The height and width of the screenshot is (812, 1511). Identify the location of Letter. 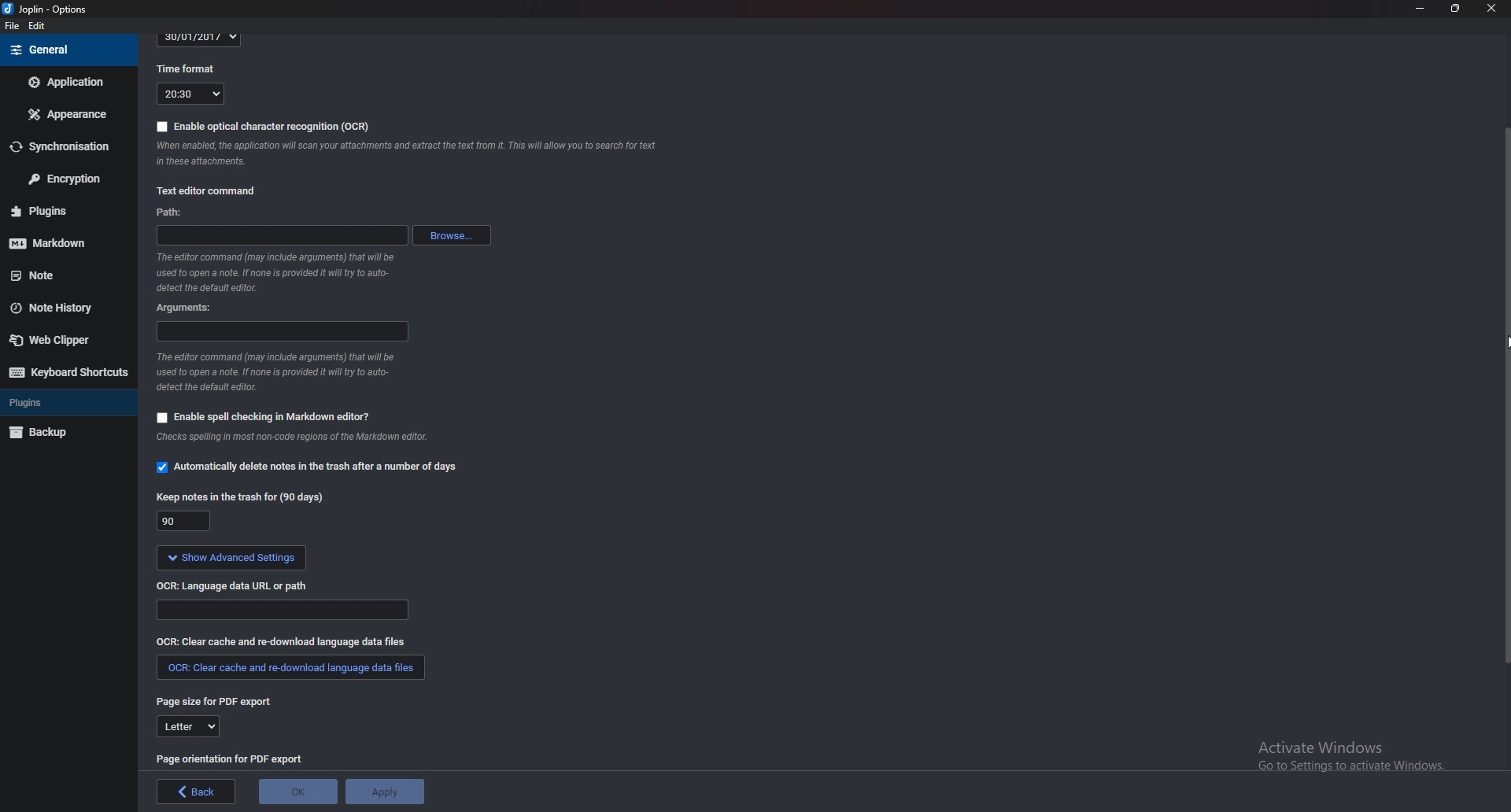
(189, 727).